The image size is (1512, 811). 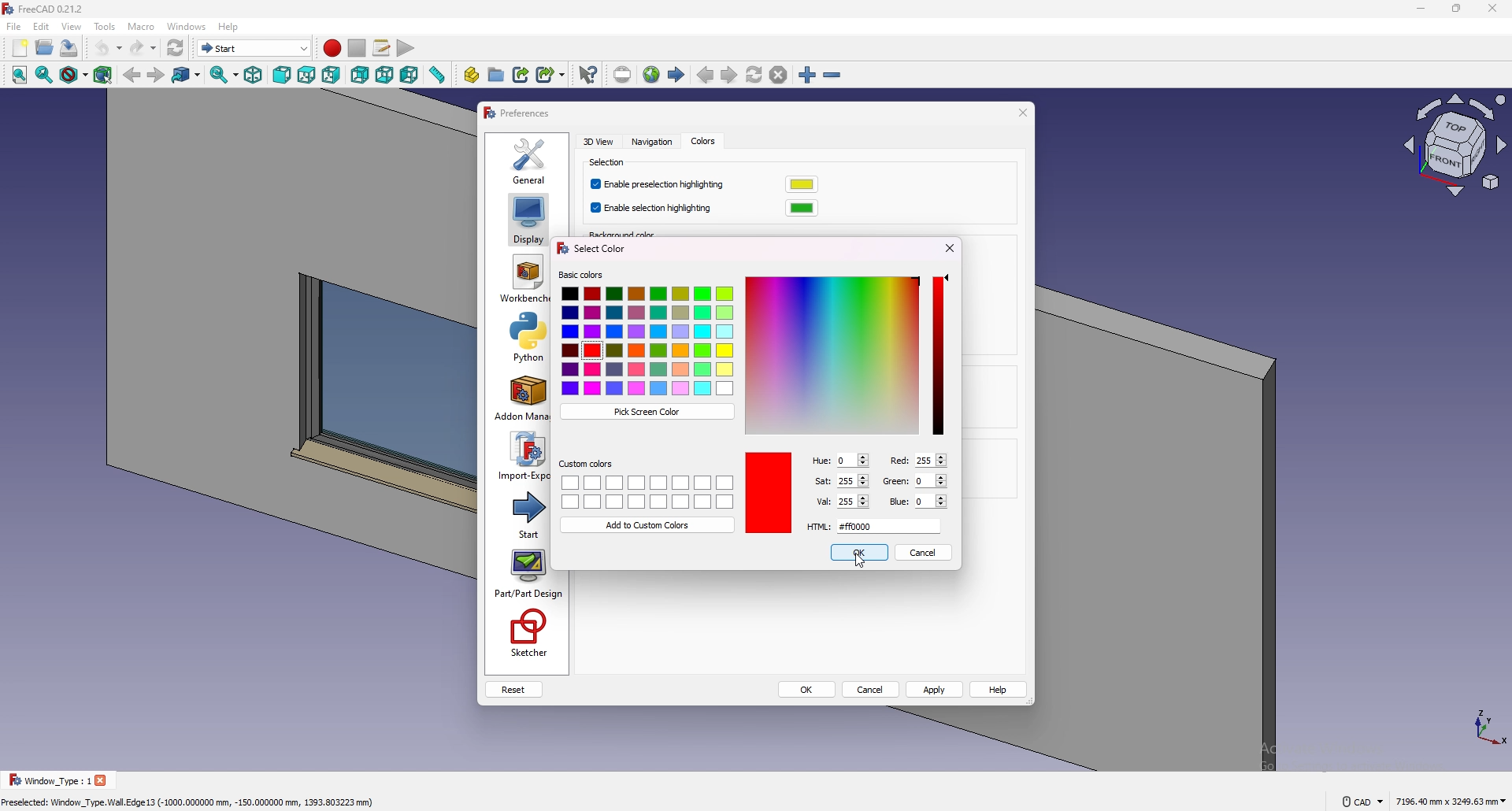 I want to click on 0, so click(x=852, y=461).